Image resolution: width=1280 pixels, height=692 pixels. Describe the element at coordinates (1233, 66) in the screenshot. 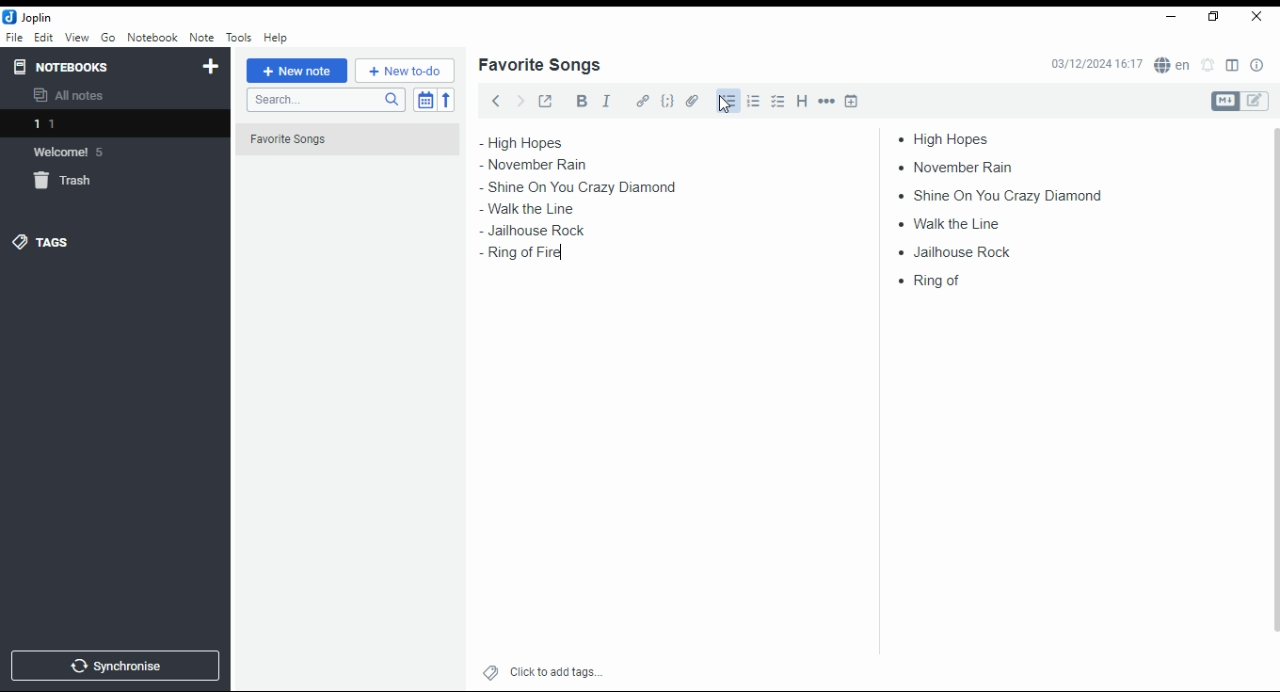

I see `toggle layout` at that location.